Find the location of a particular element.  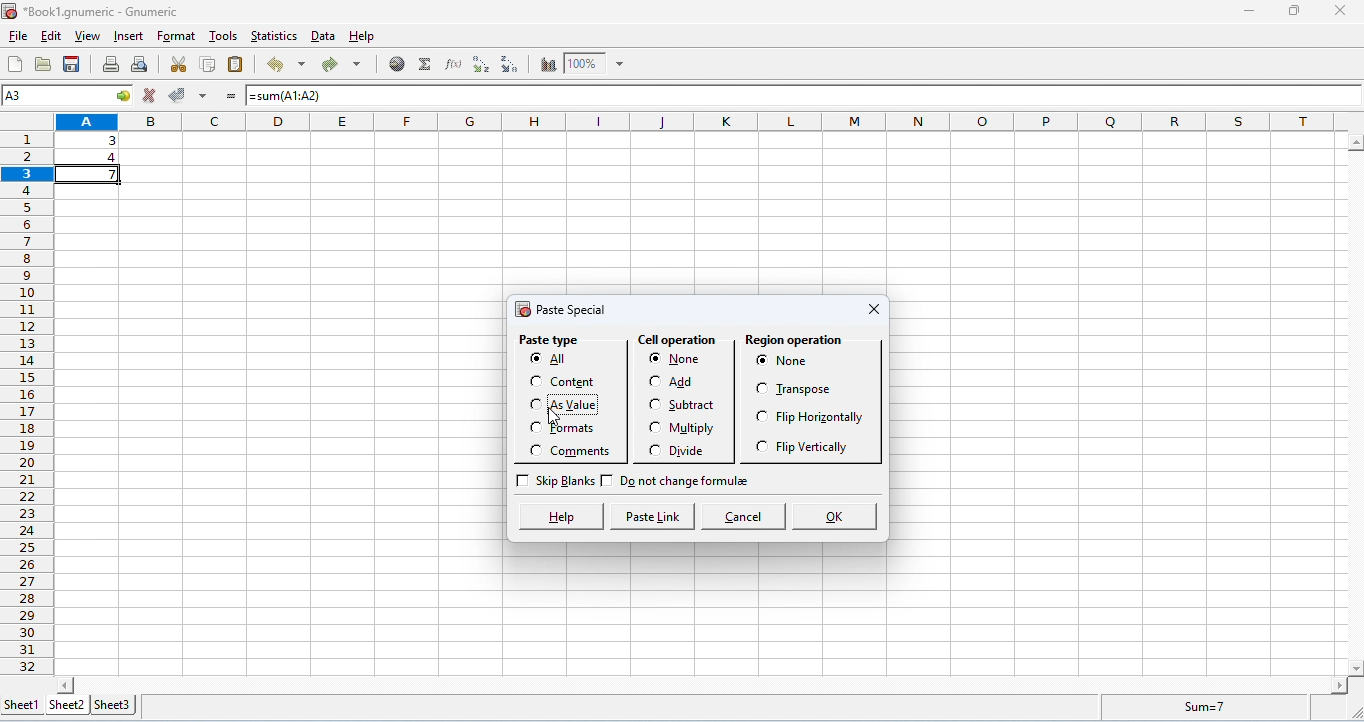

Checkbox is located at coordinates (534, 381).